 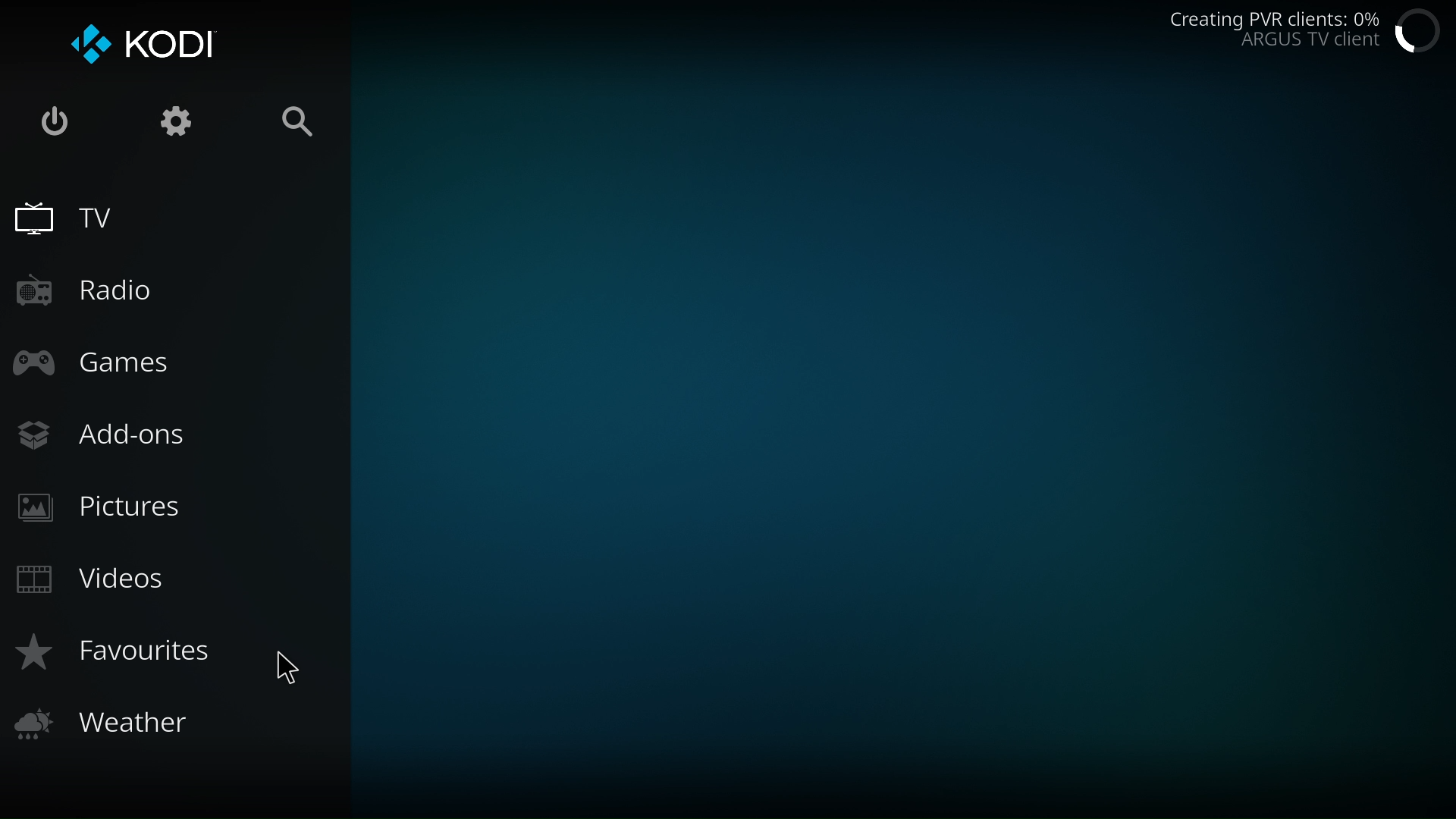 I want to click on cursor, so click(x=287, y=667).